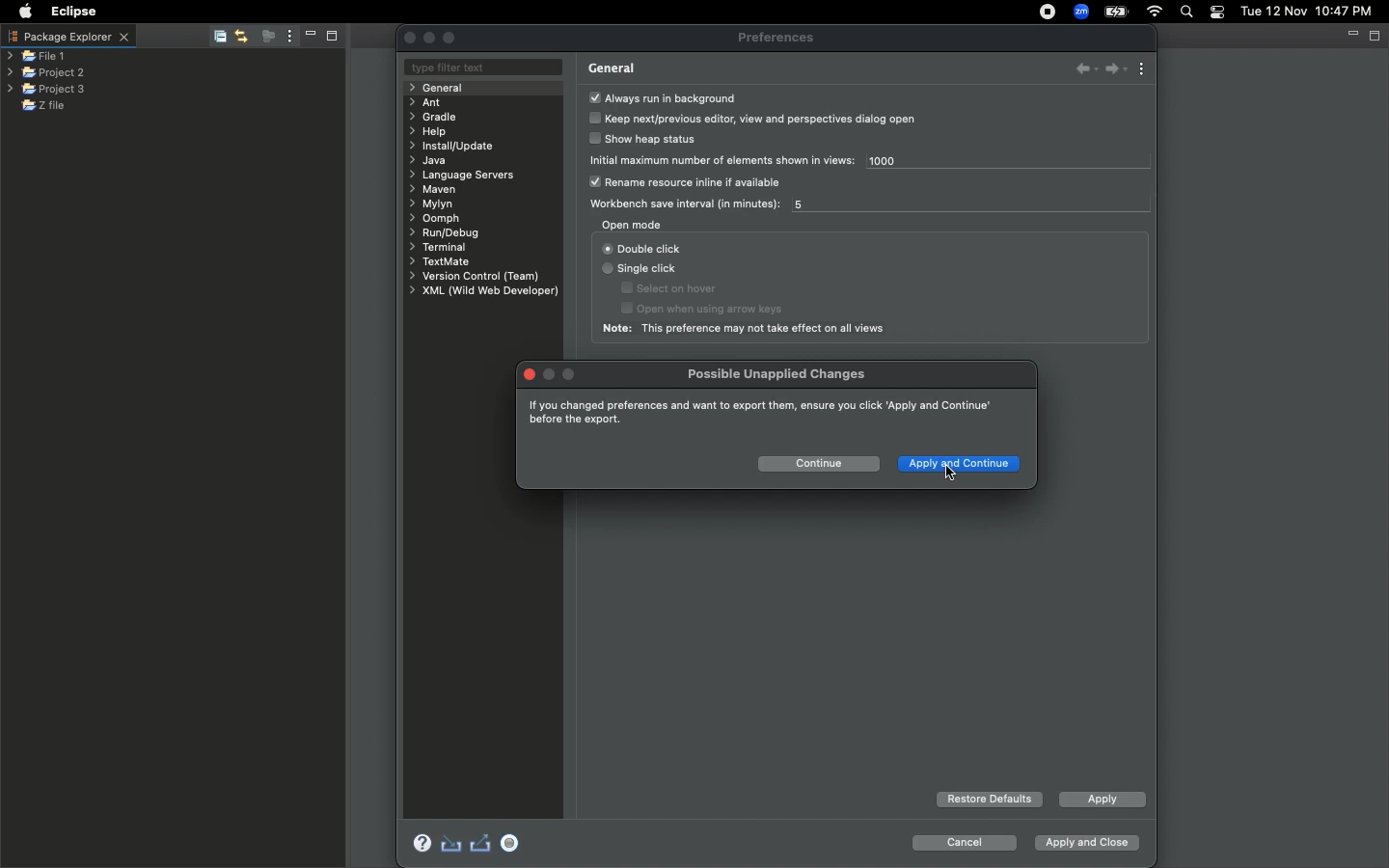 The height and width of the screenshot is (868, 1389). Describe the element at coordinates (56, 105) in the screenshot. I see `Z file` at that location.